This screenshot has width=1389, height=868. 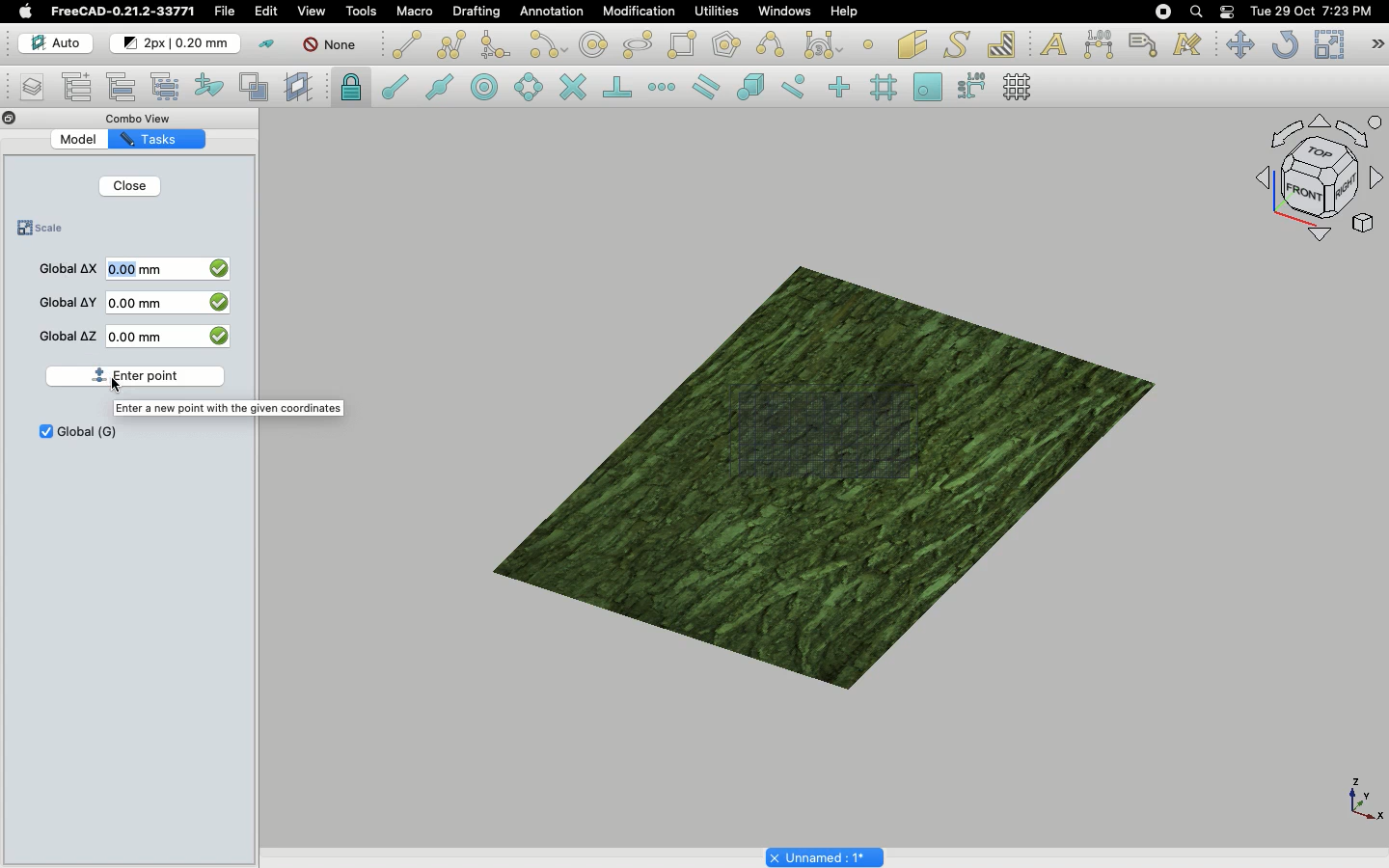 What do you see at coordinates (1284, 44) in the screenshot?
I see `Refresh` at bounding box center [1284, 44].